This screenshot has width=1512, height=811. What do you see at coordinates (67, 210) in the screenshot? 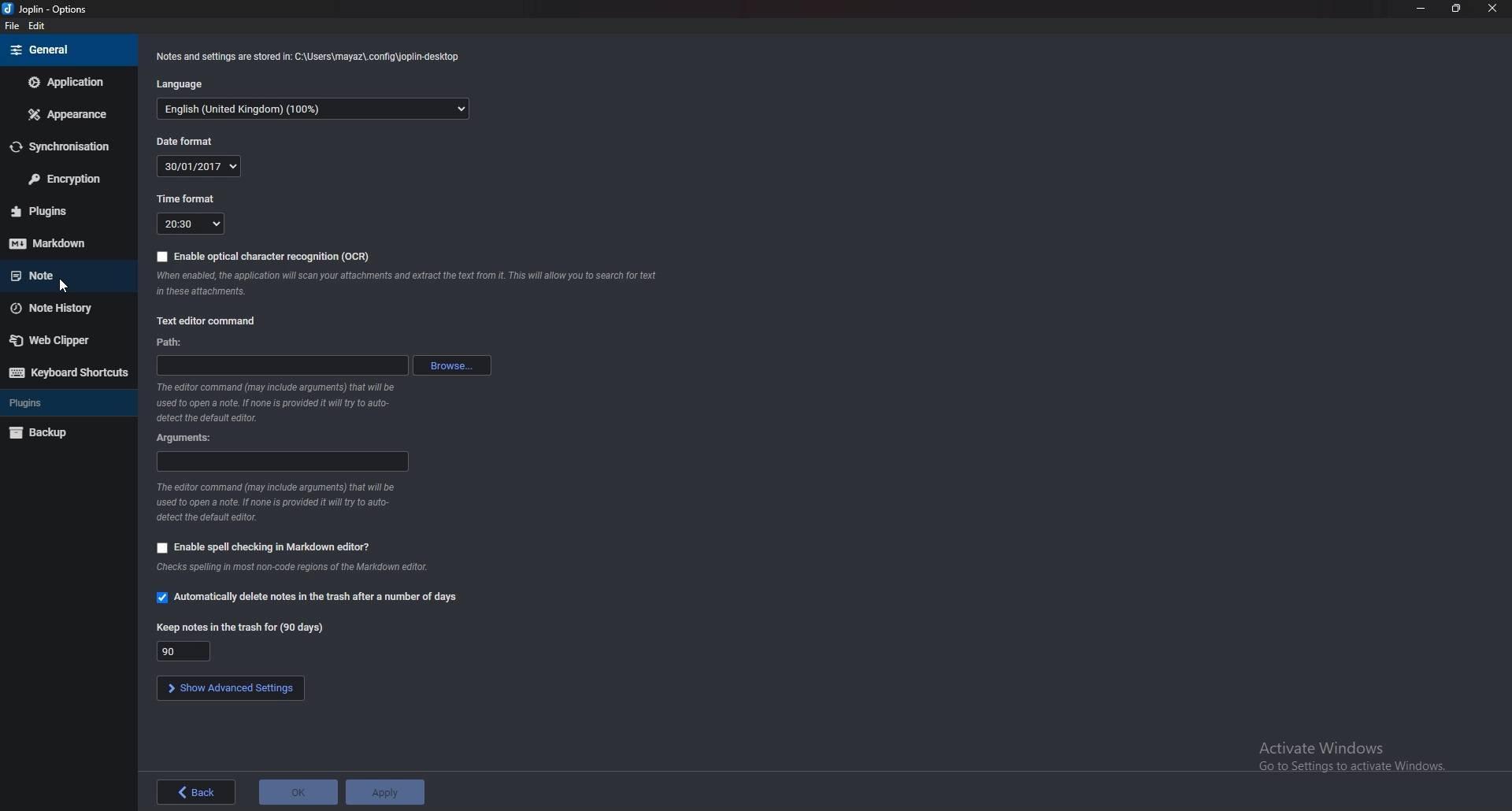
I see `plugins` at bounding box center [67, 210].